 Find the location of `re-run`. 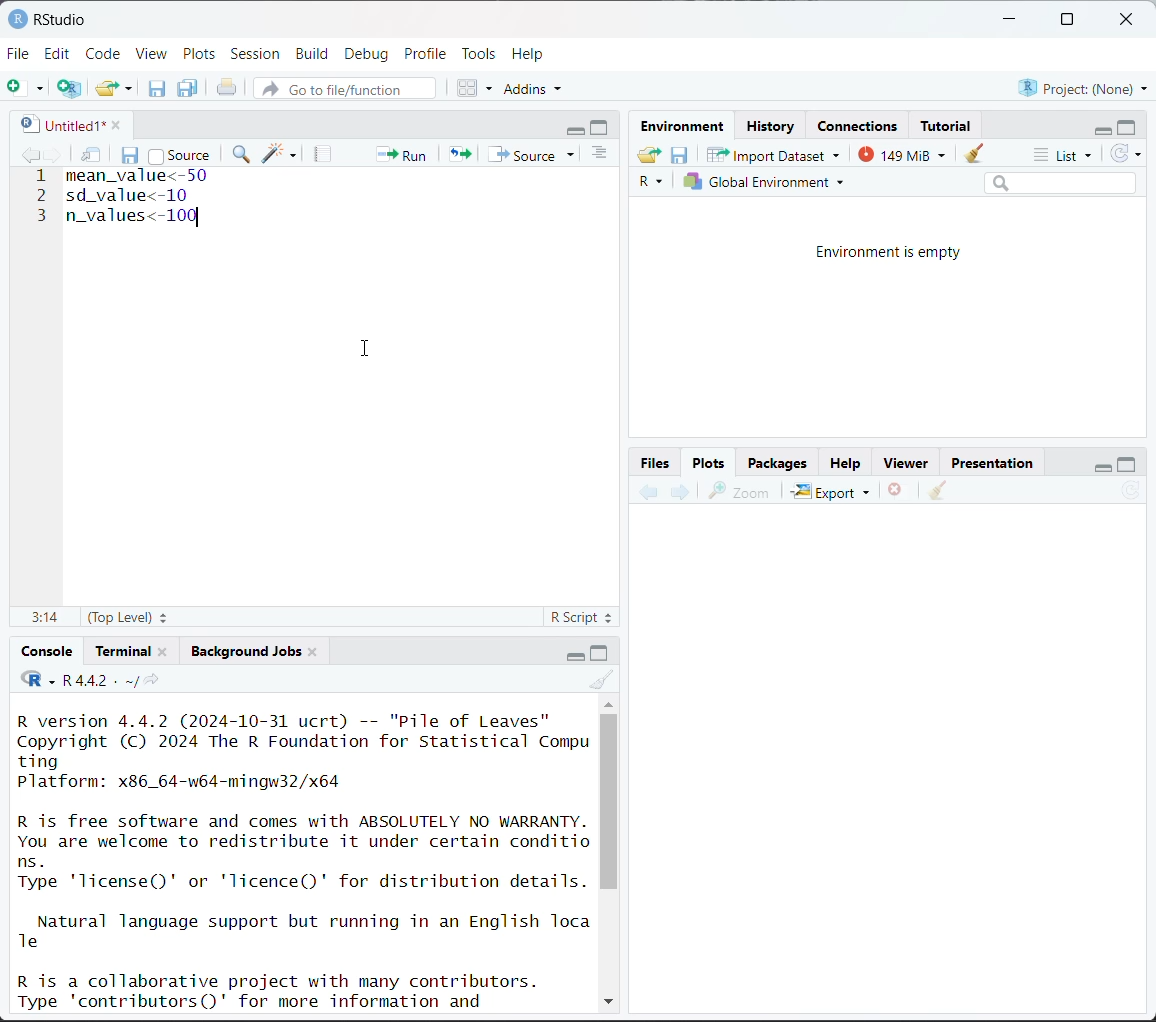

re-run is located at coordinates (458, 153).